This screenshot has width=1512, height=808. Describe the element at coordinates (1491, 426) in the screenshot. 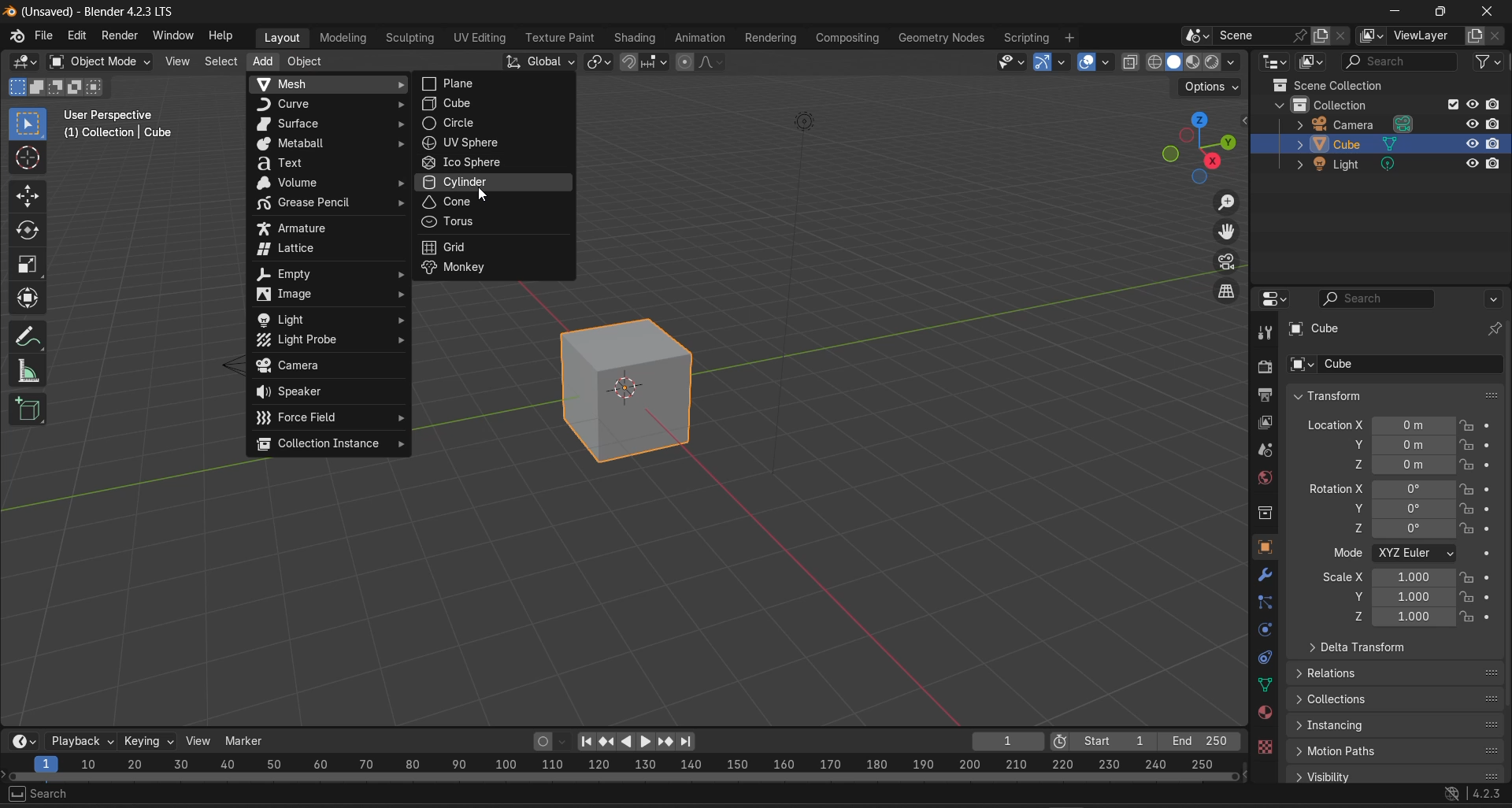

I see `animate property` at that location.